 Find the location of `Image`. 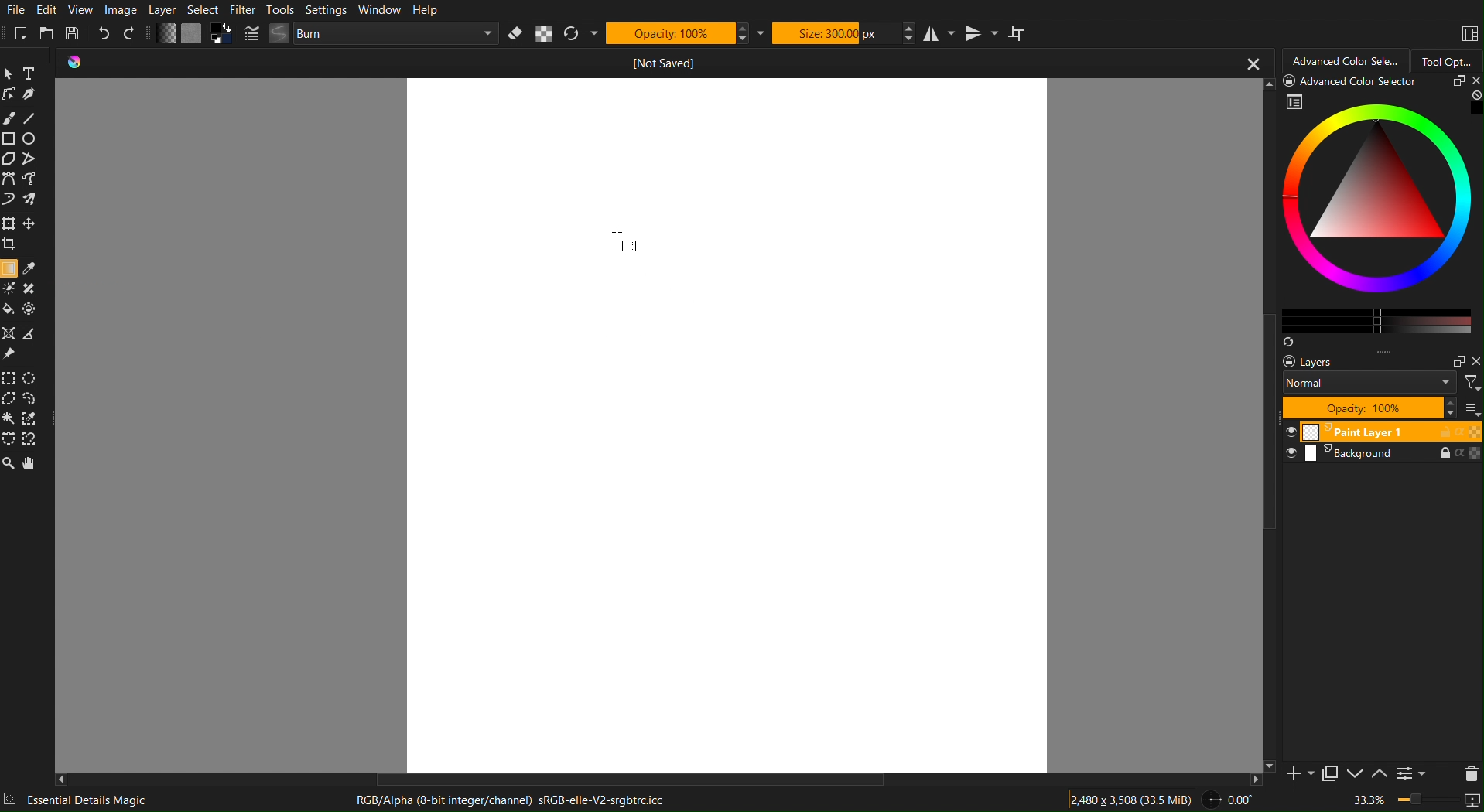

Image is located at coordinates (120, 10).